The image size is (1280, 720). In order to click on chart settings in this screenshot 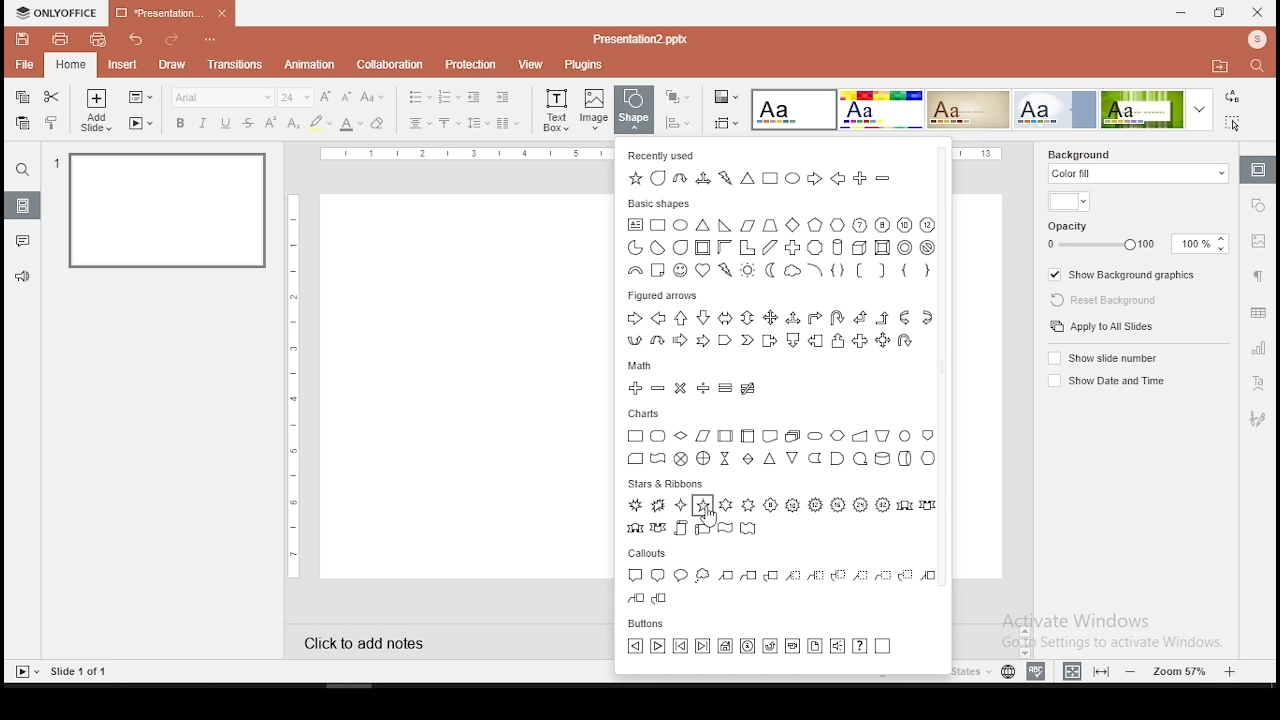, I will do `click(1256, 347)`.